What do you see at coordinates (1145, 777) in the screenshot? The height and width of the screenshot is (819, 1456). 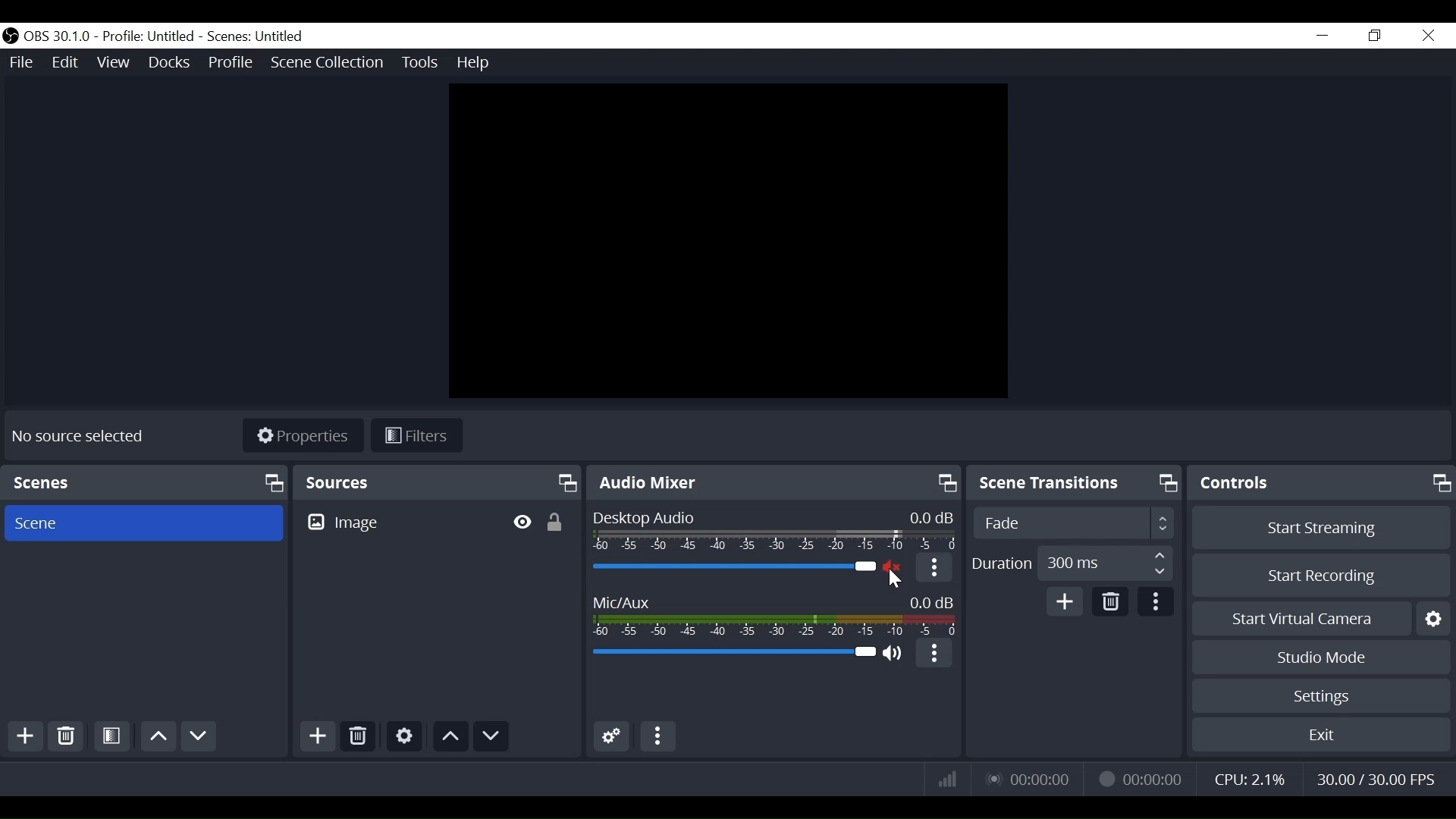 I see `Recording` at bounding box center [1145, 777].